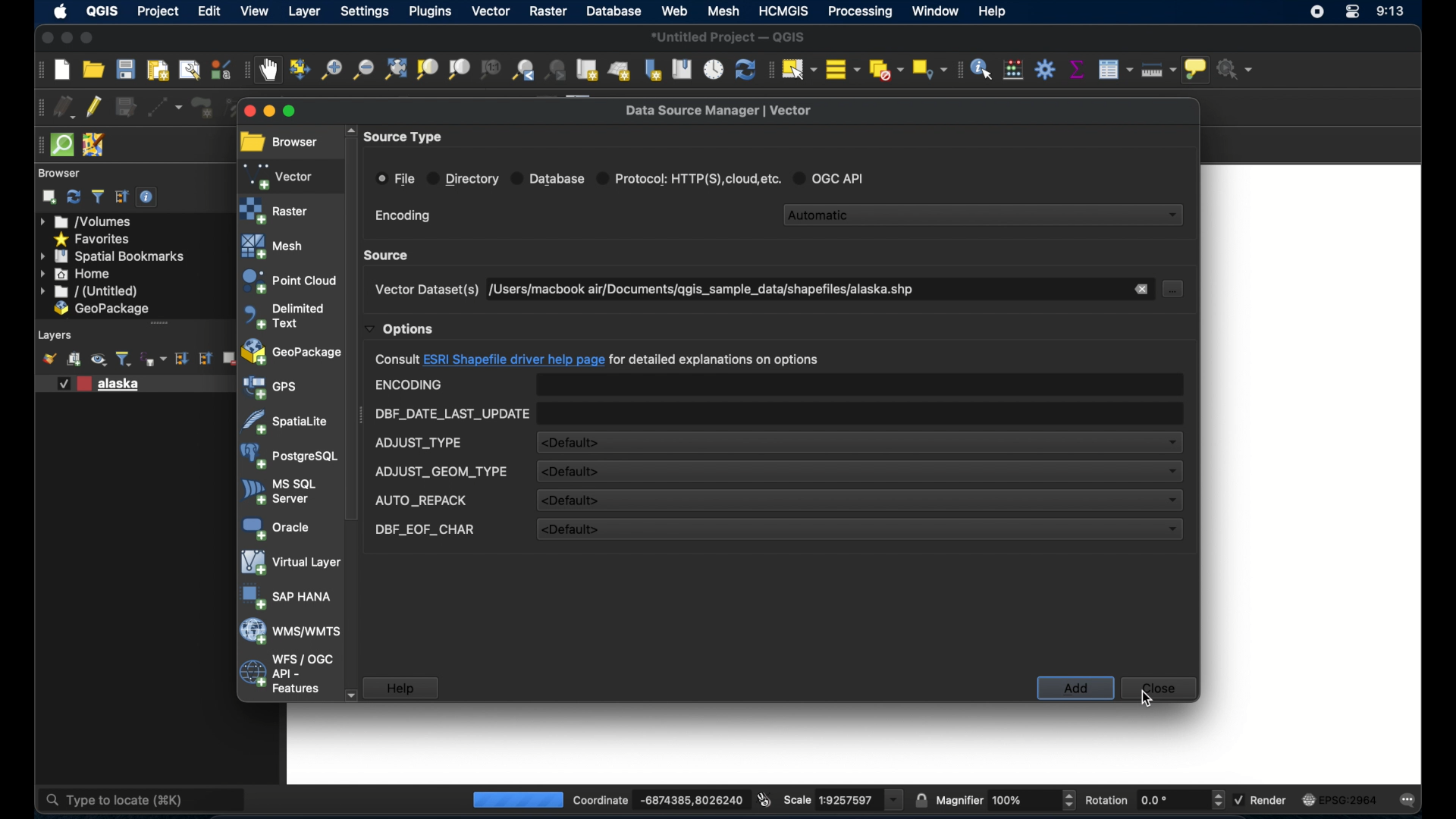  What do you see at coordinates (620, 72) in the screenshot?
I see `new 3d map view` at bounding box center [620, 72].